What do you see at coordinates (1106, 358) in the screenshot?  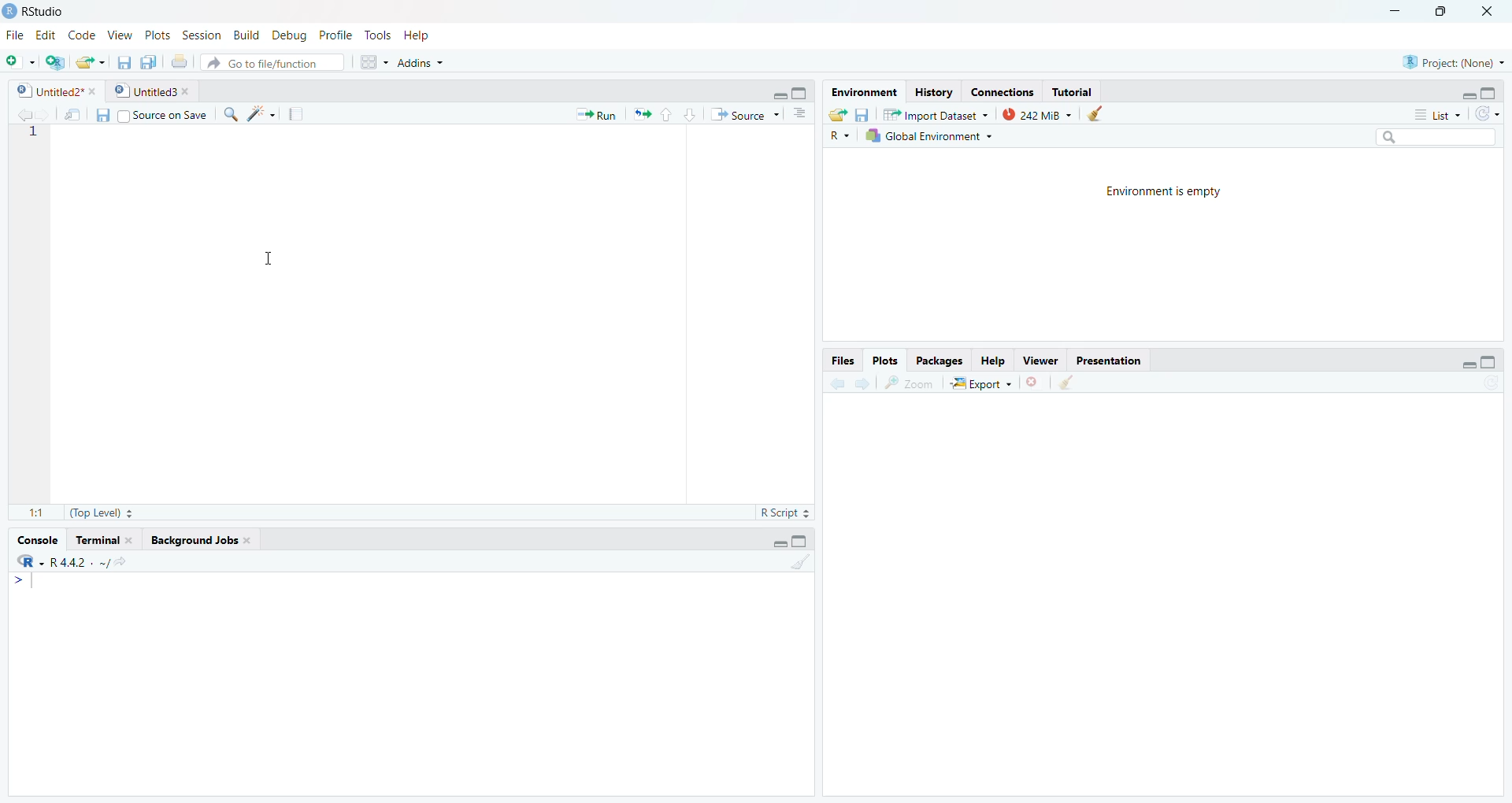 I see `Presentation` at bounding box center [1106, 358].